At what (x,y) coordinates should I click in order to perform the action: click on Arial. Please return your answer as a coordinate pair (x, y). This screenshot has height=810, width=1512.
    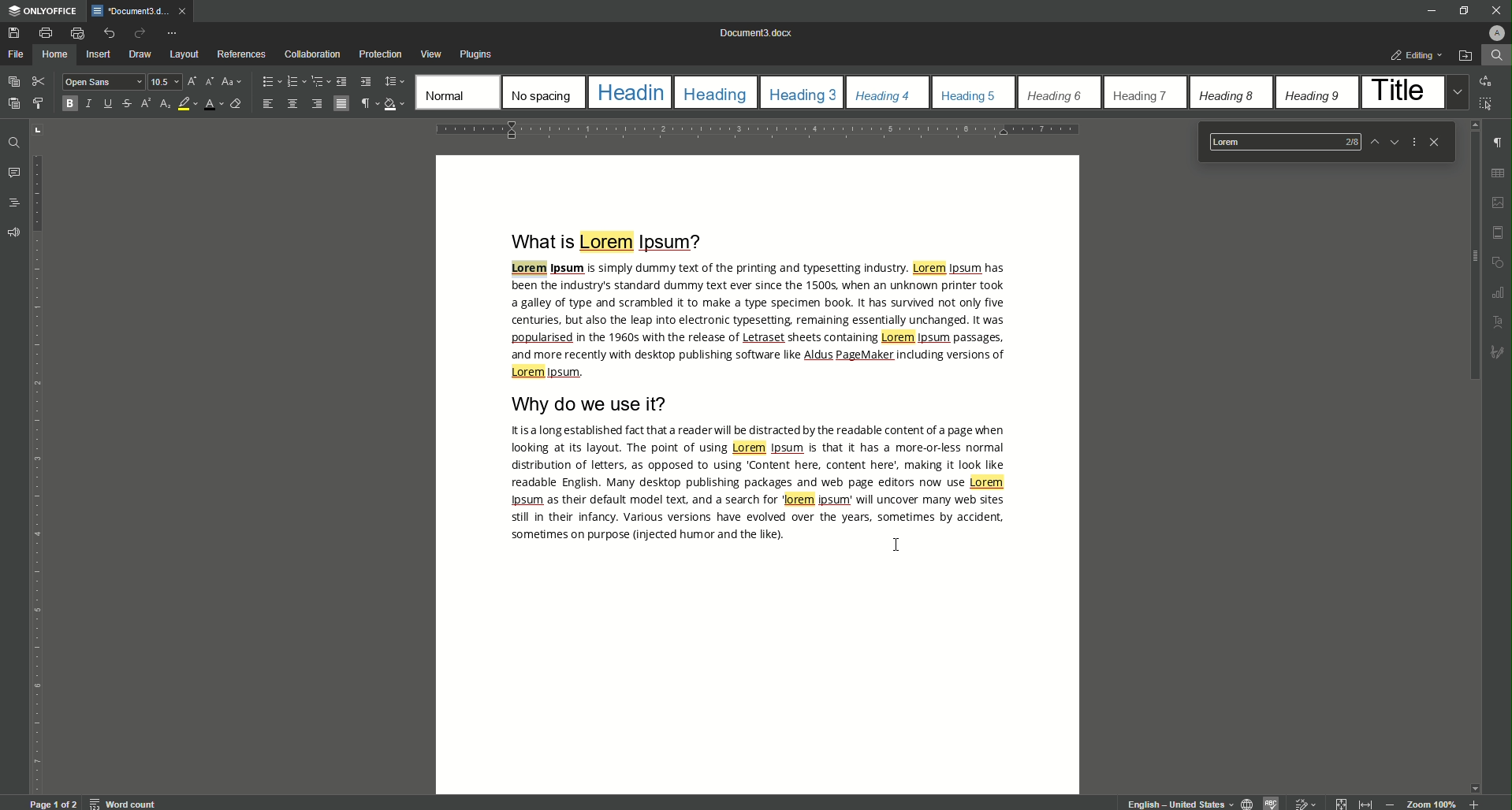
    Looking at the image, I should click on (103, 82).